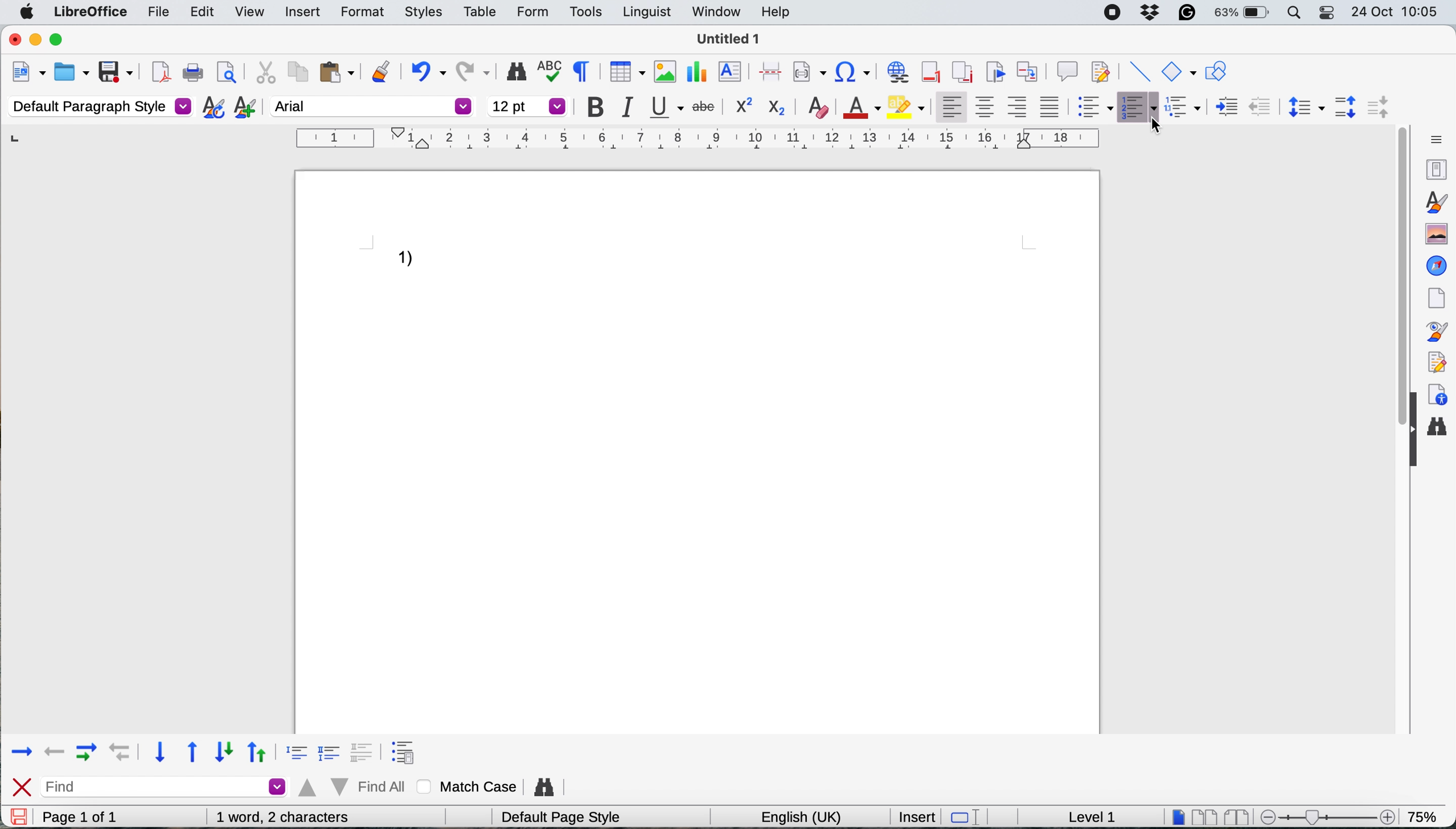 The width and height of the screenshot is (1456, 829). What do you see at coordinates (427, 69) in the screenshot?
I see `undo` at bounding box center [427, 69].